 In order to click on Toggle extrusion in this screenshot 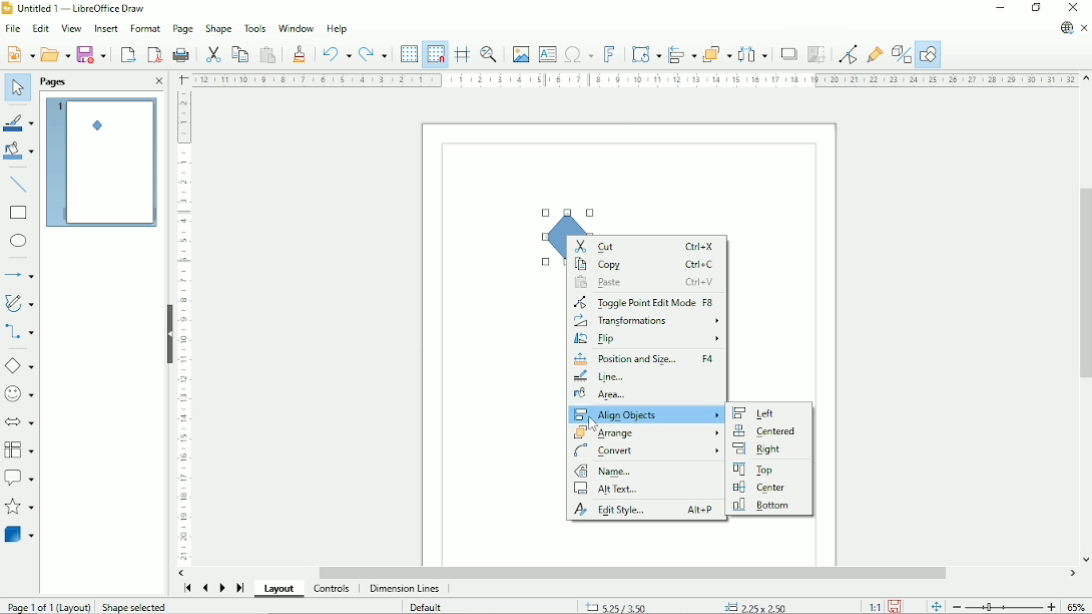, I will do `click(900, 54)`.